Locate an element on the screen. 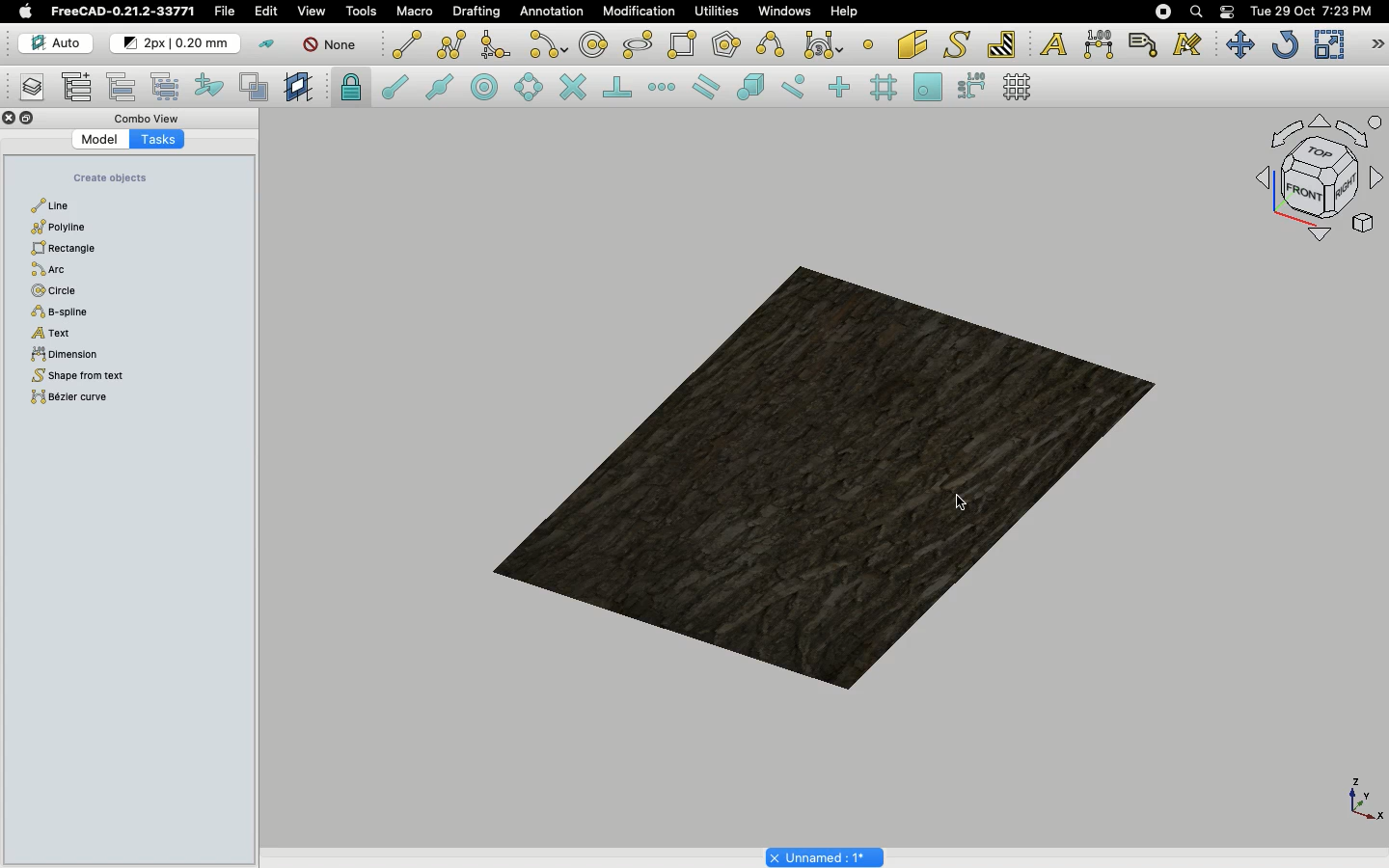  Snap midpoint is located at coordinates (437, 86).